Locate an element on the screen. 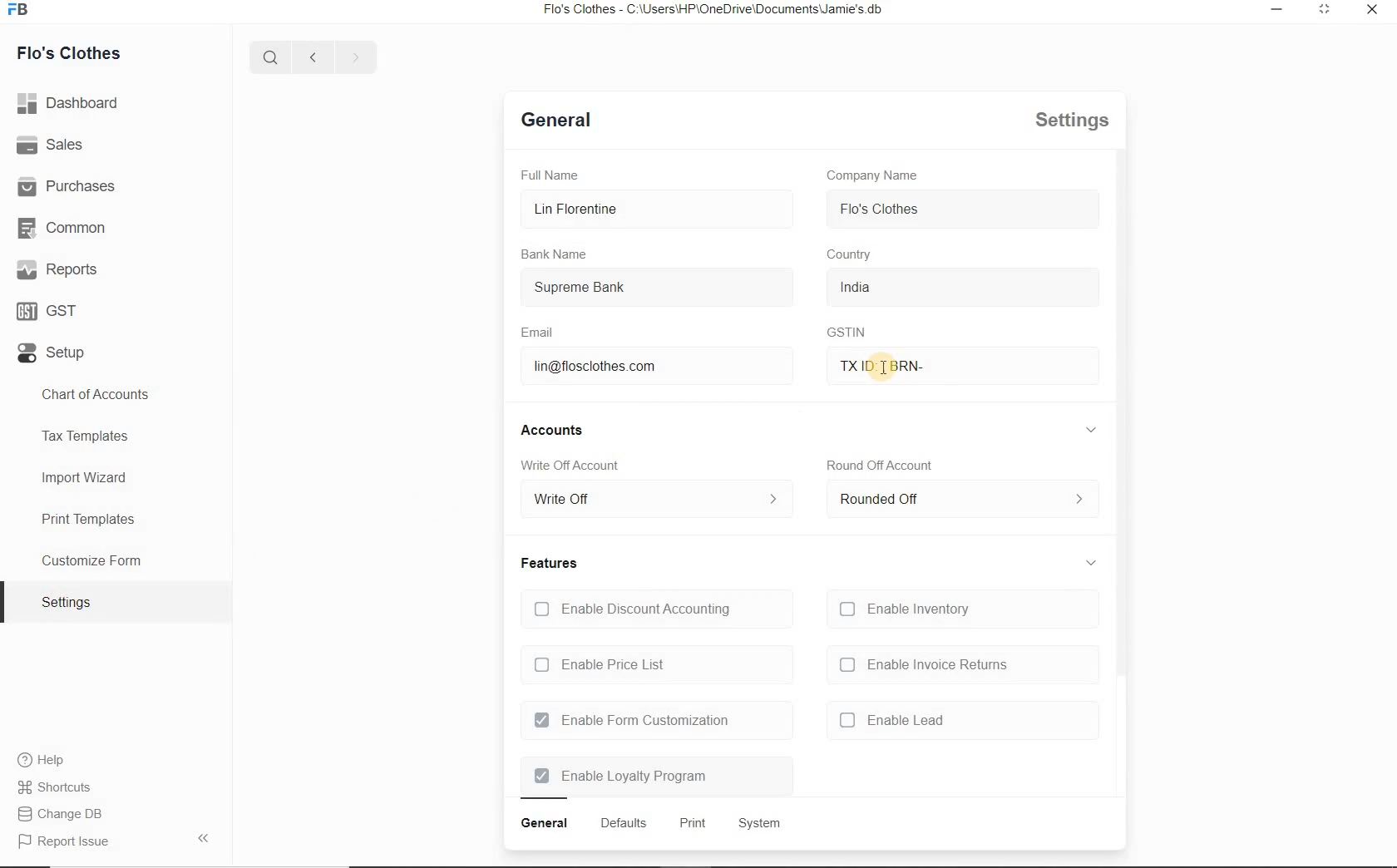  lin@flosclothes.com is located at coordinates (617, 367).